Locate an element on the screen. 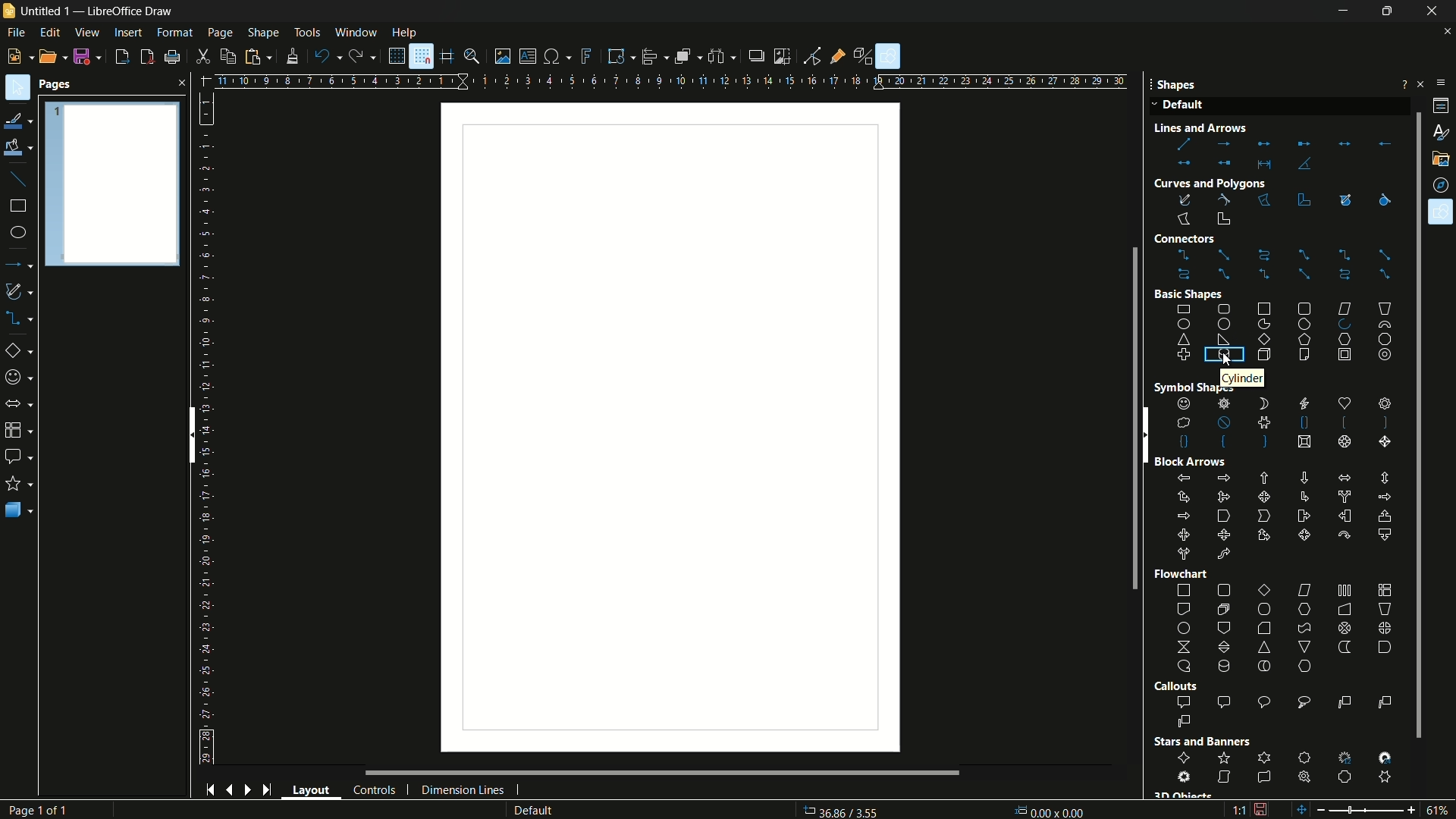  copy is located at coordinates (229, 57).